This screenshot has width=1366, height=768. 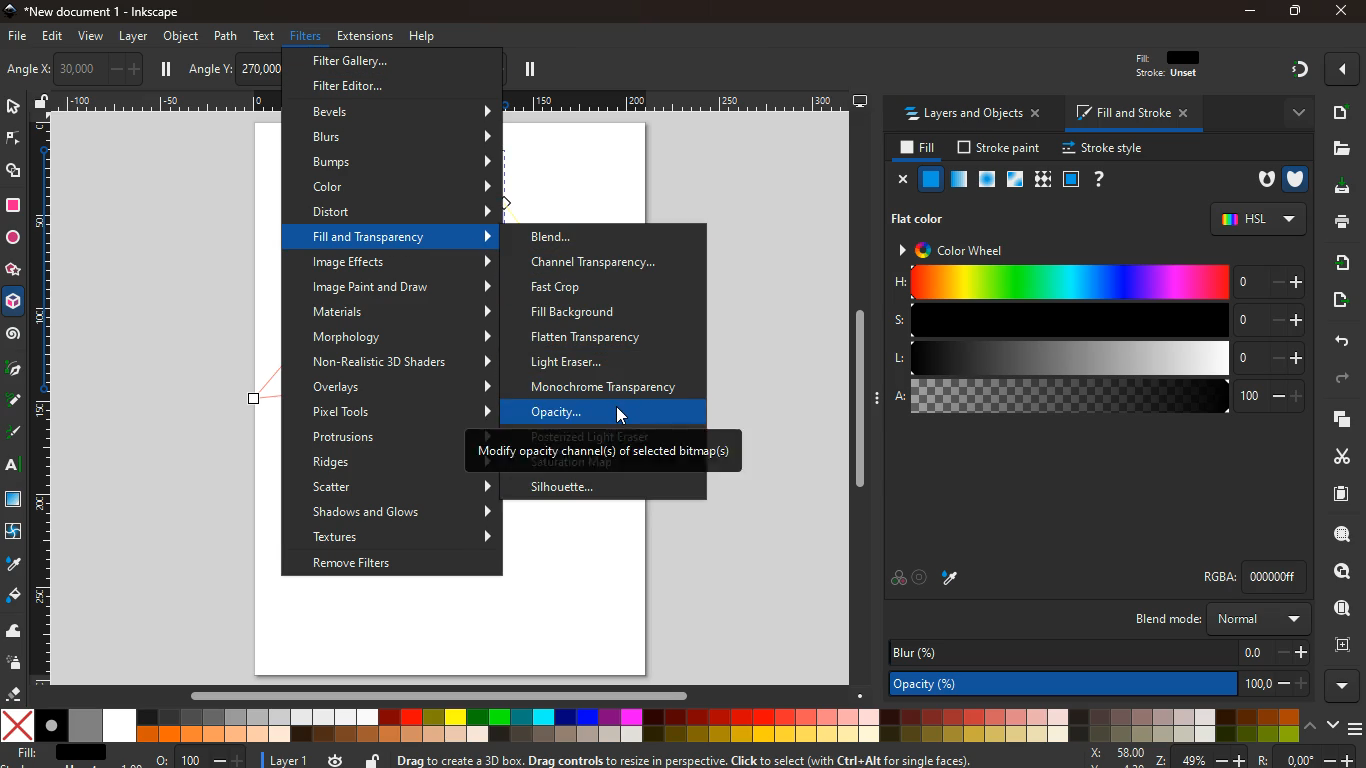 I want to click on edge, so click(x=12, y=140).